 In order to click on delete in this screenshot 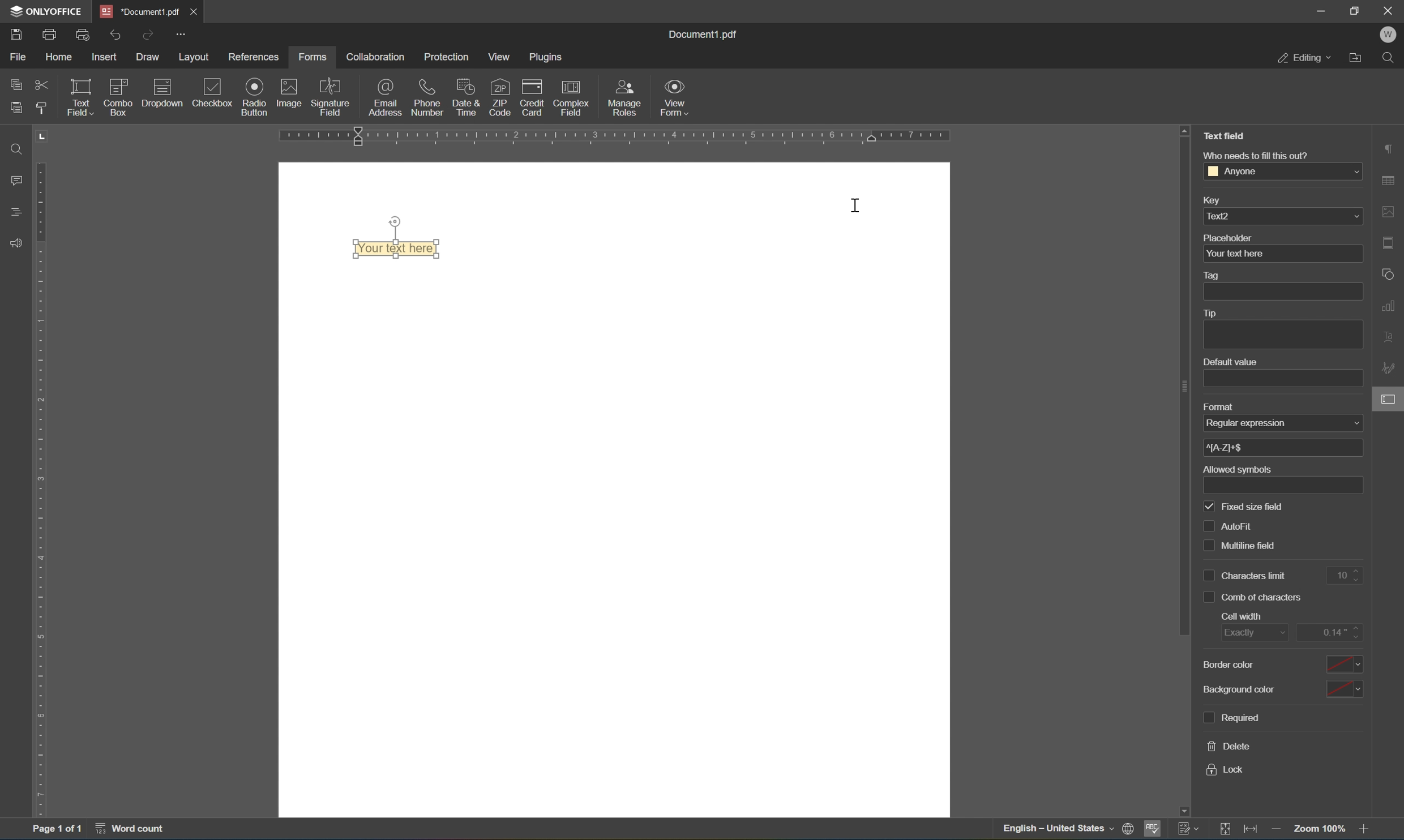, I will do `click(1228, 747)`.